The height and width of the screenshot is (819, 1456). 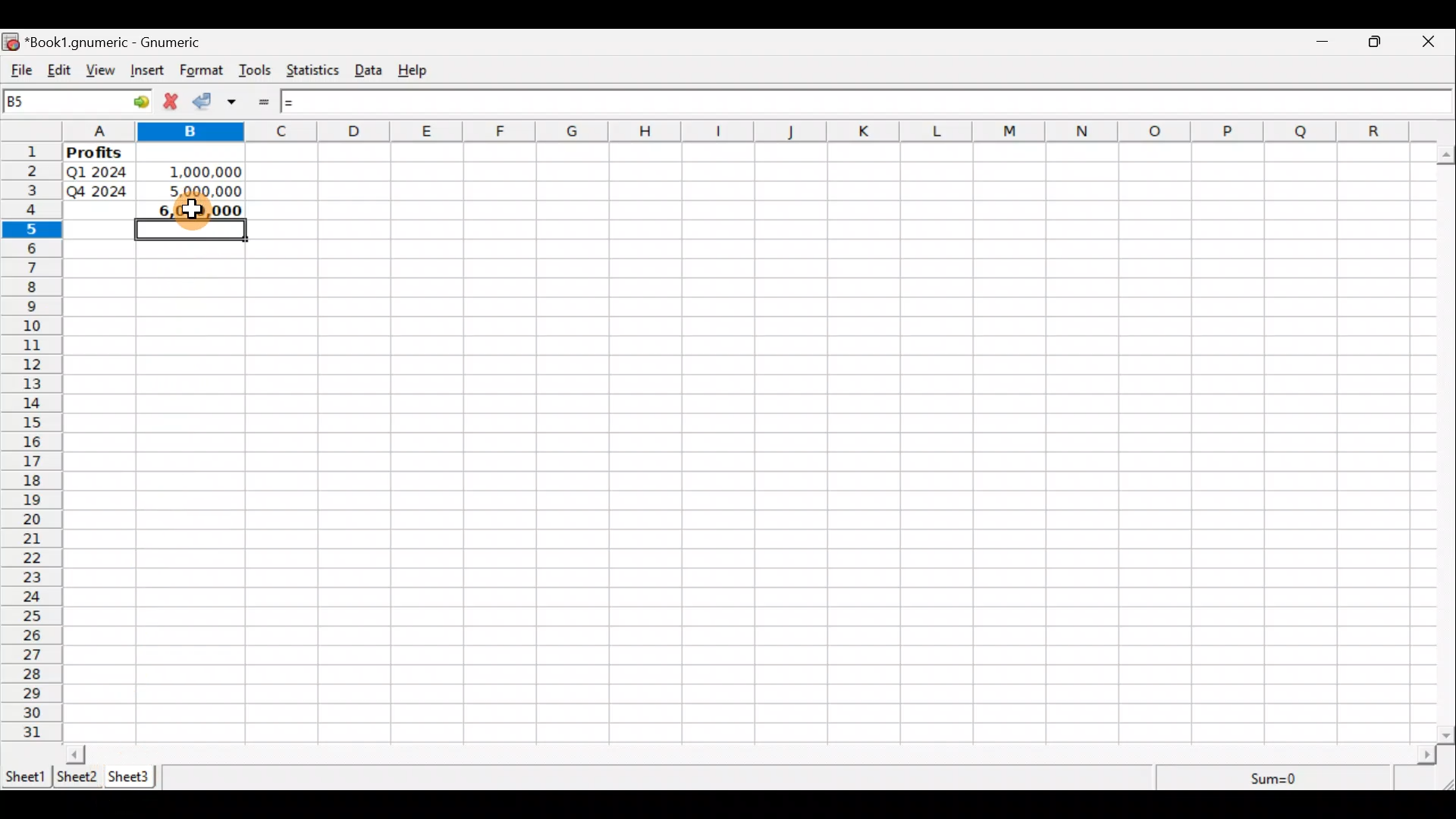 I want to click on Enter formula, so click(x=267, y=102).